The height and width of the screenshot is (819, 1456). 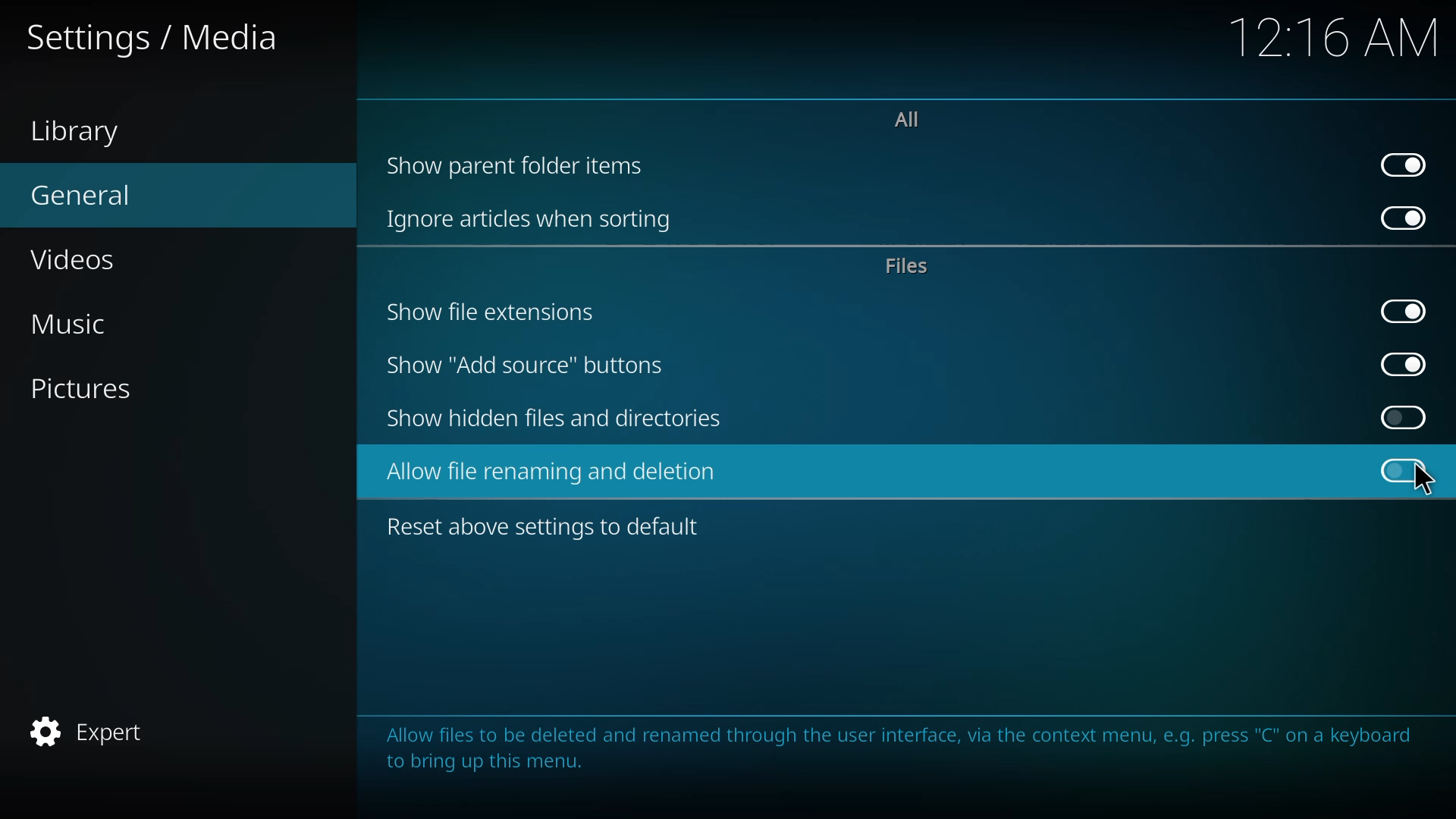 What do you see at coordinates (93, 193) in the screenshot?
I see `general` at bounding box center [93, 193].